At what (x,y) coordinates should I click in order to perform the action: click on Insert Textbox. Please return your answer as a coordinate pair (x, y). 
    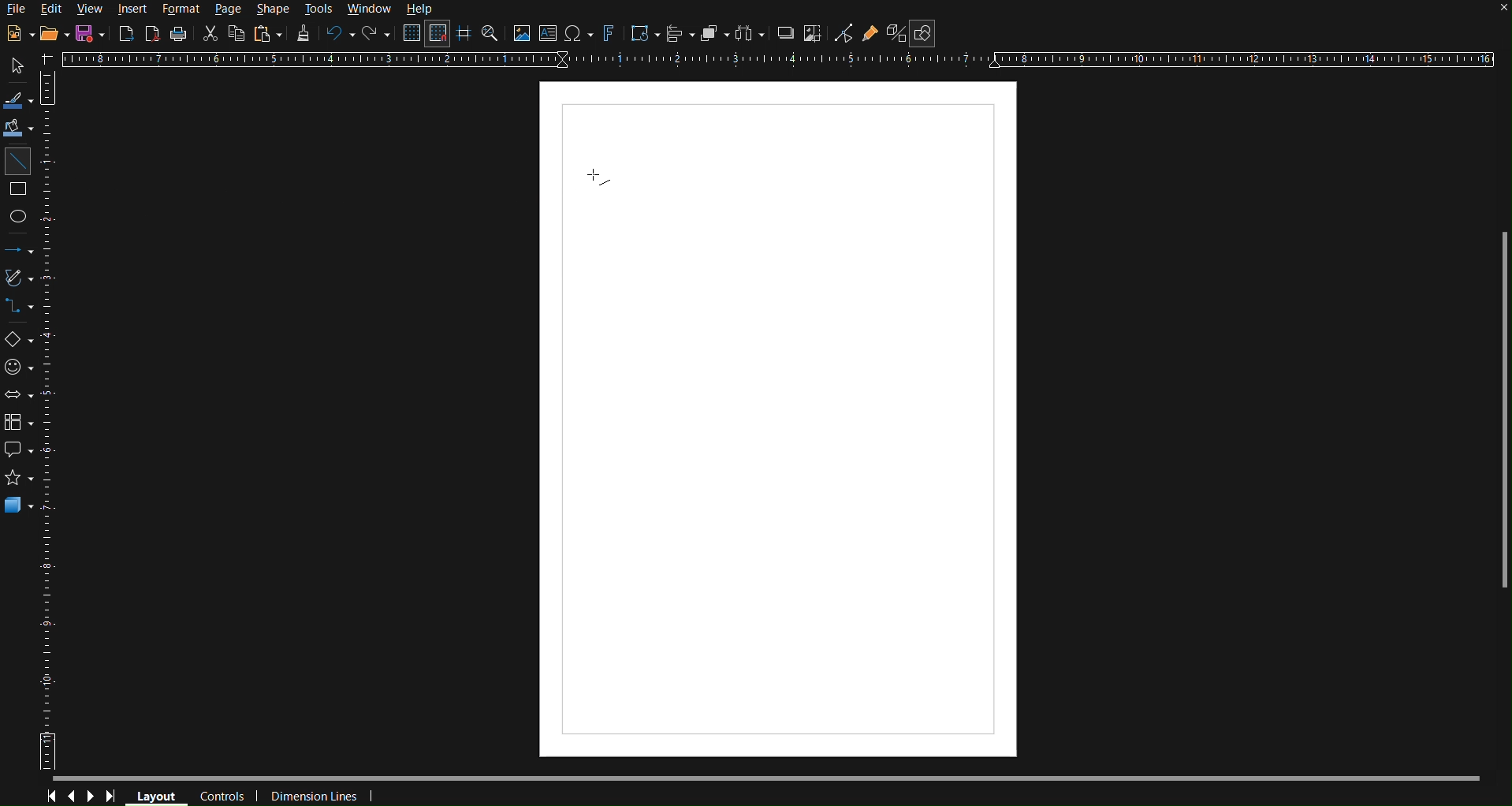
    Looking at the image, I should click on (549, 34).